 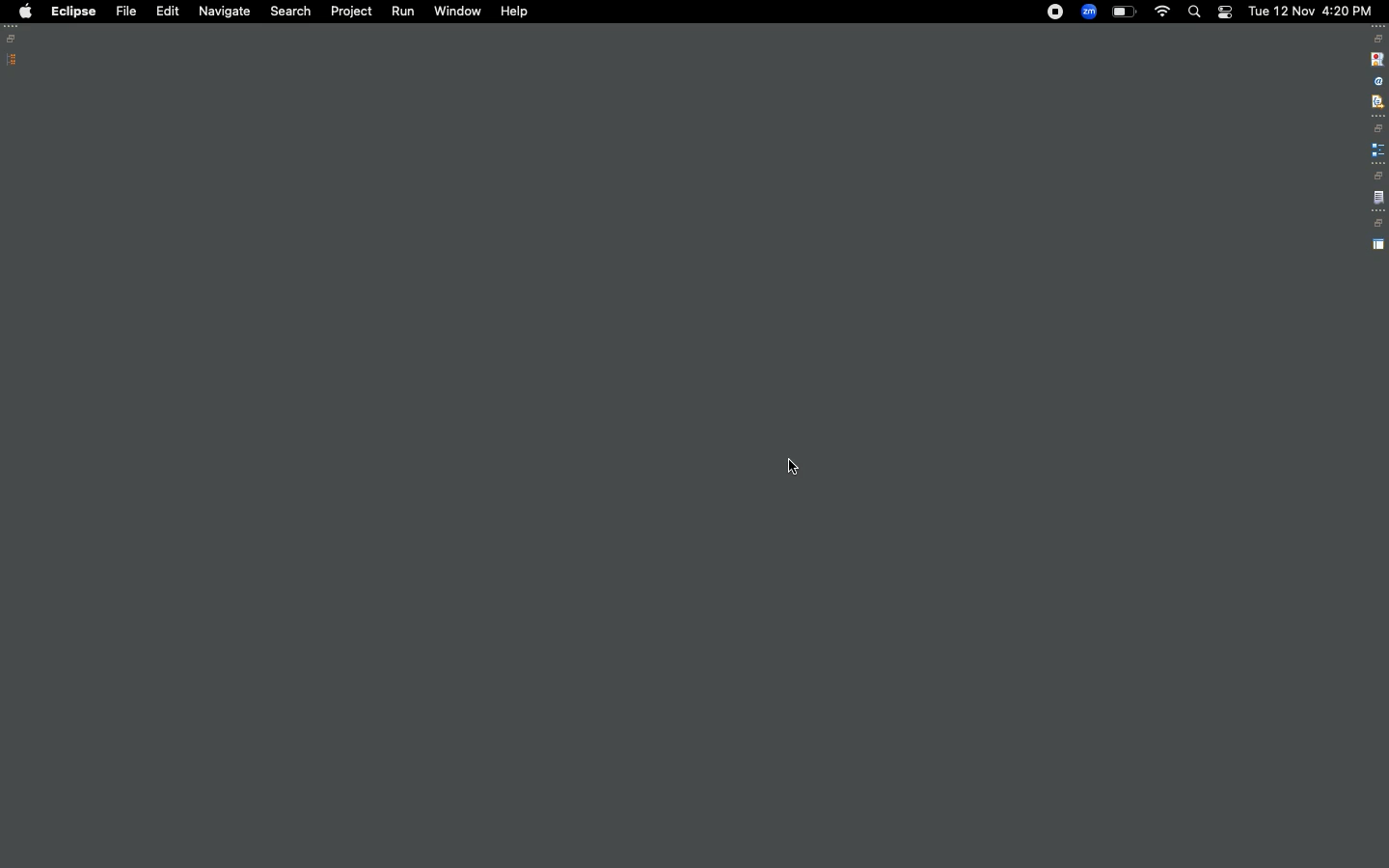 I want to click on restore, so click(x=1378, y=39).